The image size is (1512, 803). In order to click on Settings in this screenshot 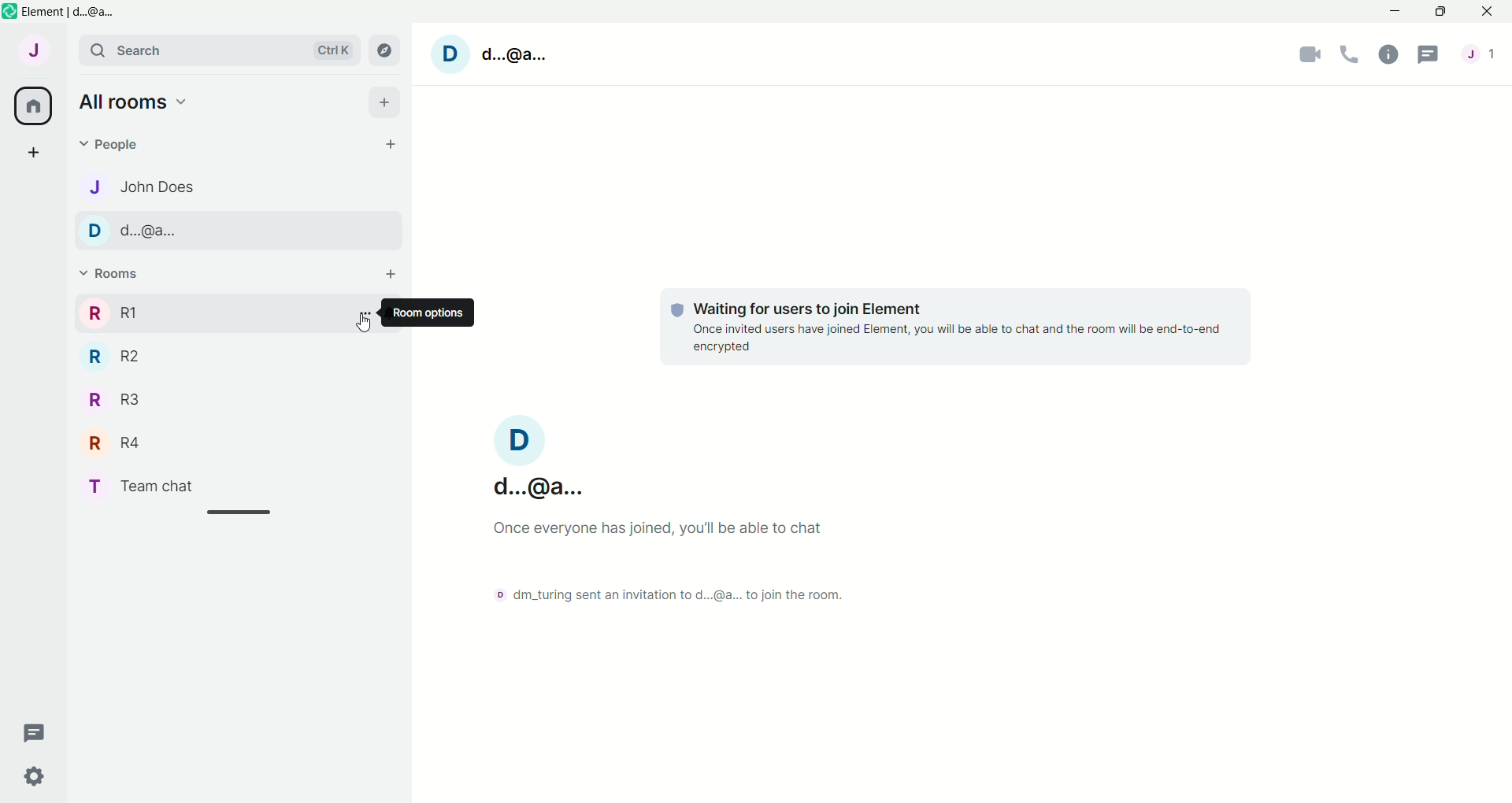, I will do `click(36, 776)`.